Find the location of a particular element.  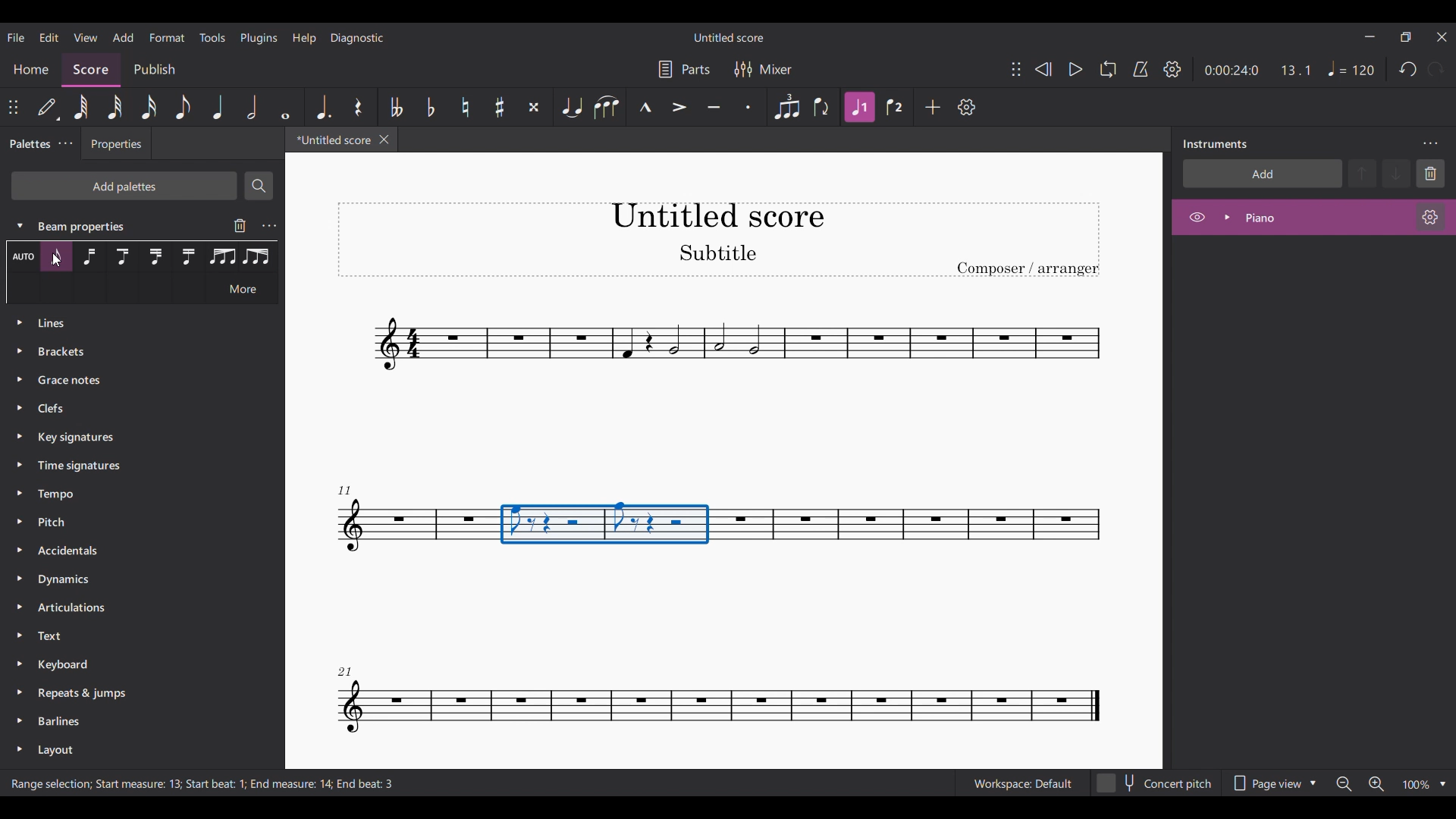

Lines is located at coordinates (135, 258).